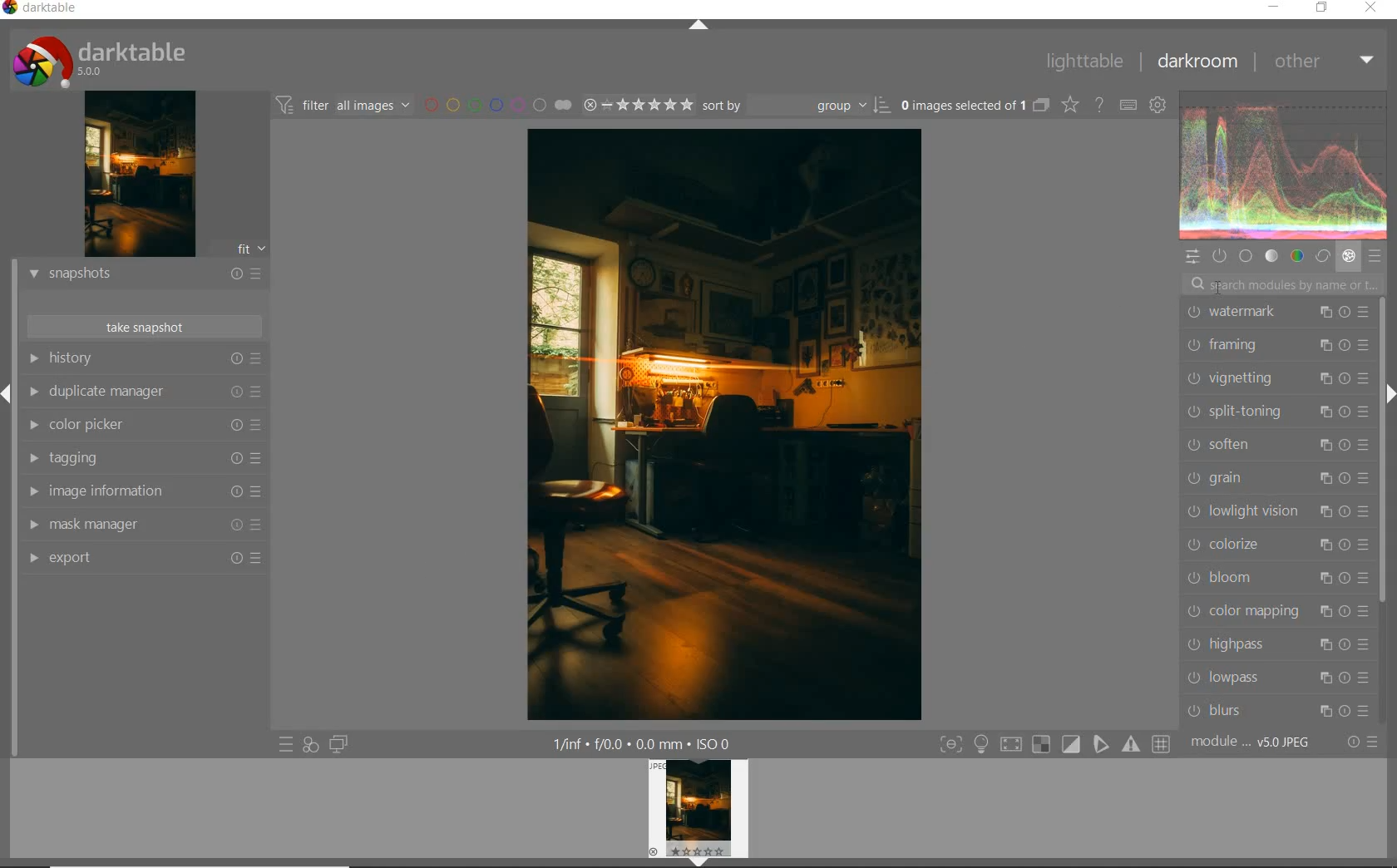 This screenshot has height=868, width=1397. Describe the element at coordinates (1278, 345) in the screenshot. I see `framing` at that location.